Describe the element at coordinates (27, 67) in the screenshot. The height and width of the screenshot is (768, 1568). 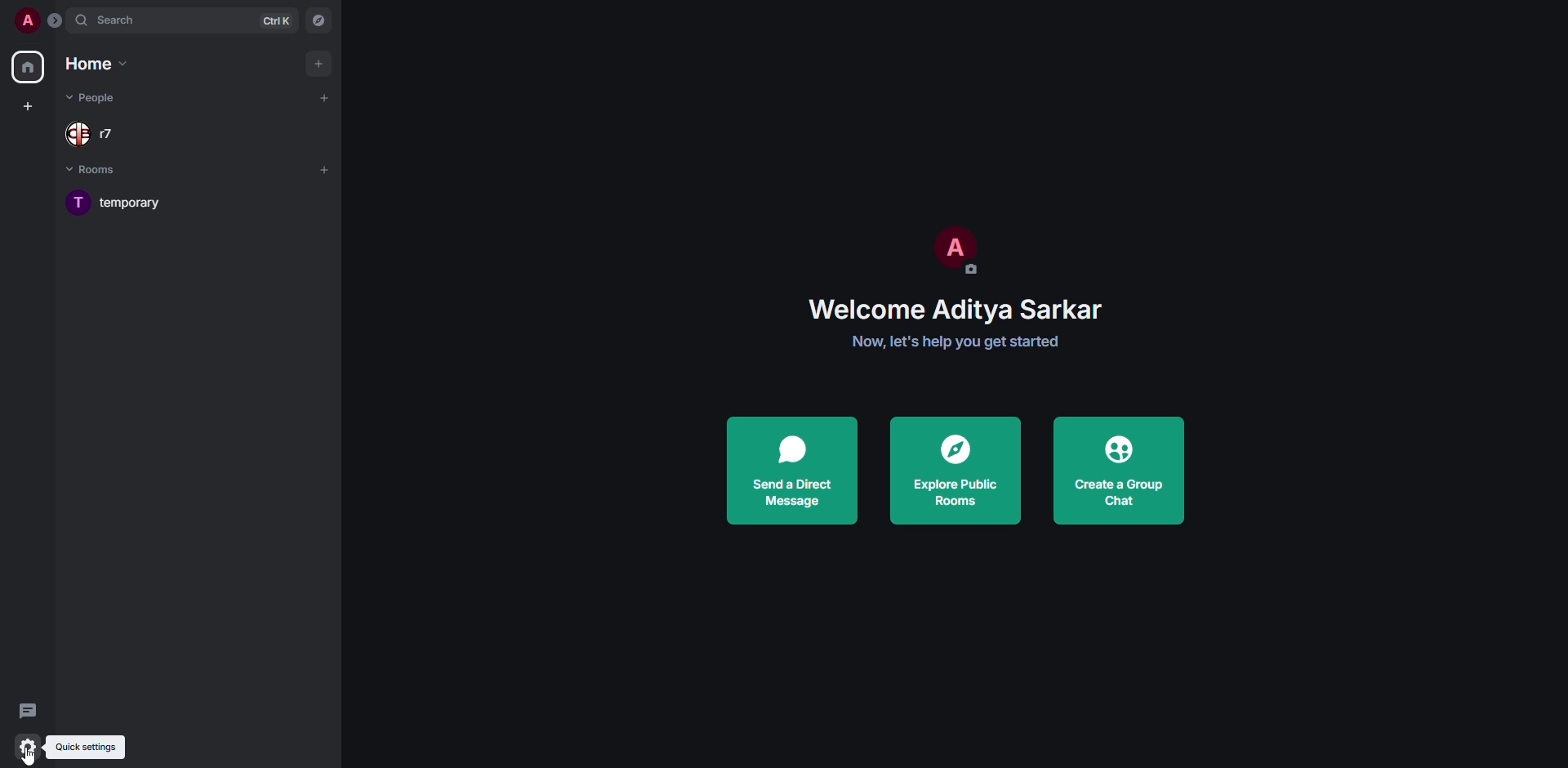
I see `home` at that location.